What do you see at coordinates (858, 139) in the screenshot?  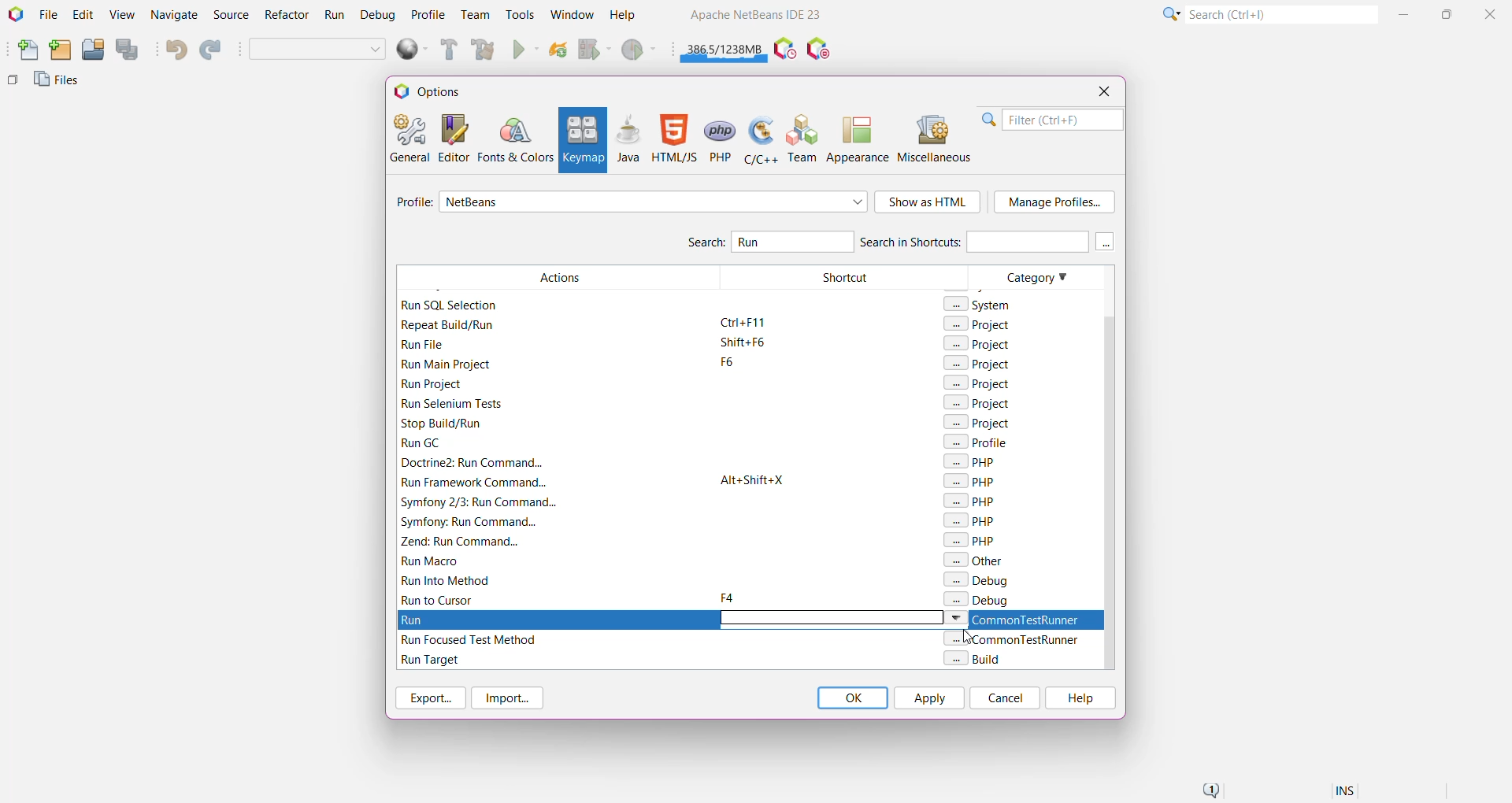 I see `Appearance` at bounding box center [858, 139].